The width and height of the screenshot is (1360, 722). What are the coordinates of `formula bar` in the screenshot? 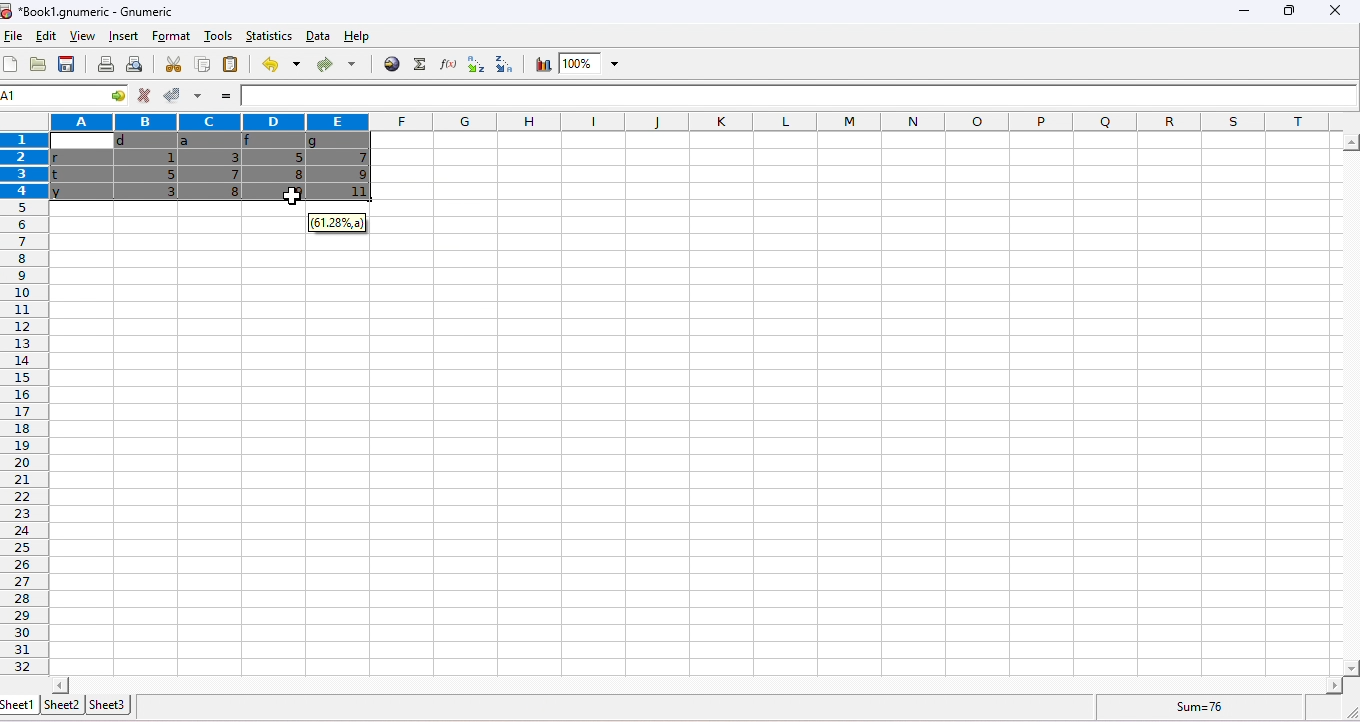 It's located at (800, 95).